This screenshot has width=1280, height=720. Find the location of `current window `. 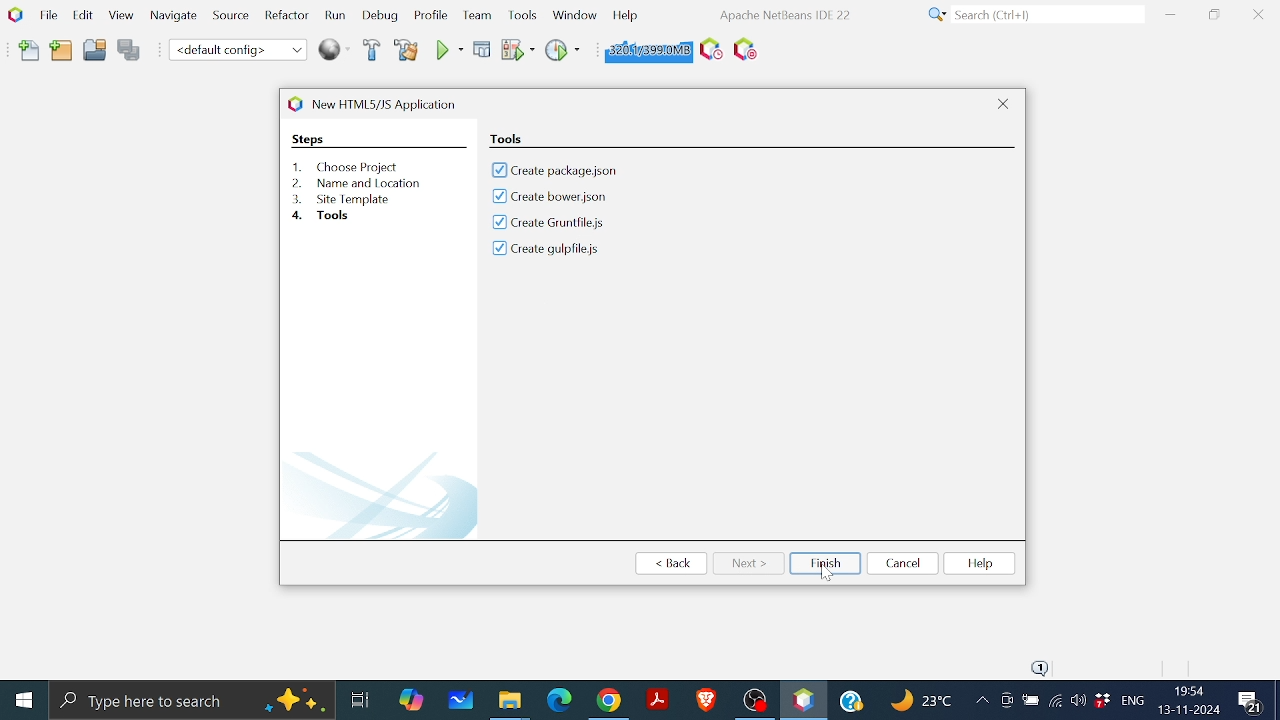

current window  is located at coordinates (391, 103).